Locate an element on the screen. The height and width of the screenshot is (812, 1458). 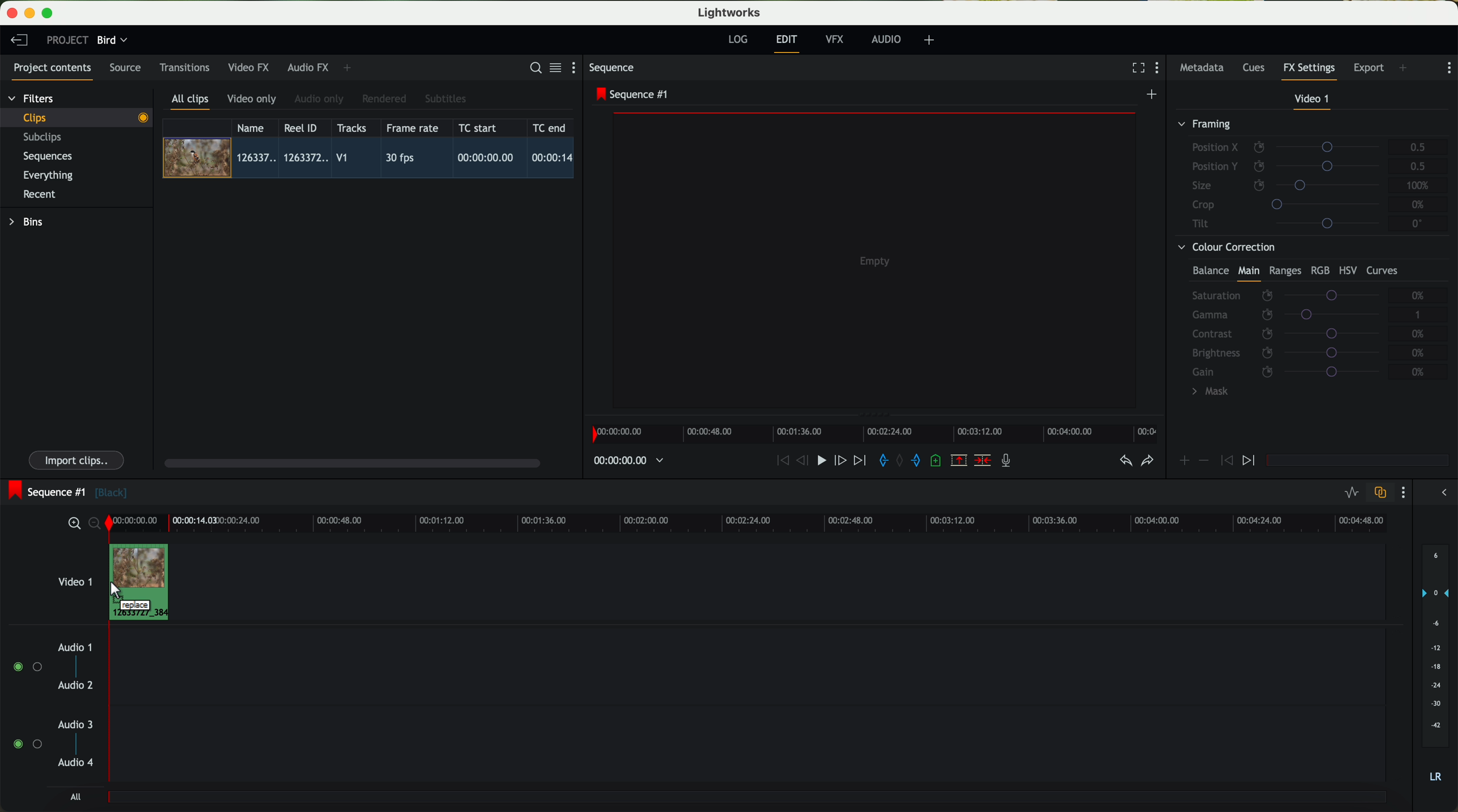
main is located at coordinates (1249, 273).